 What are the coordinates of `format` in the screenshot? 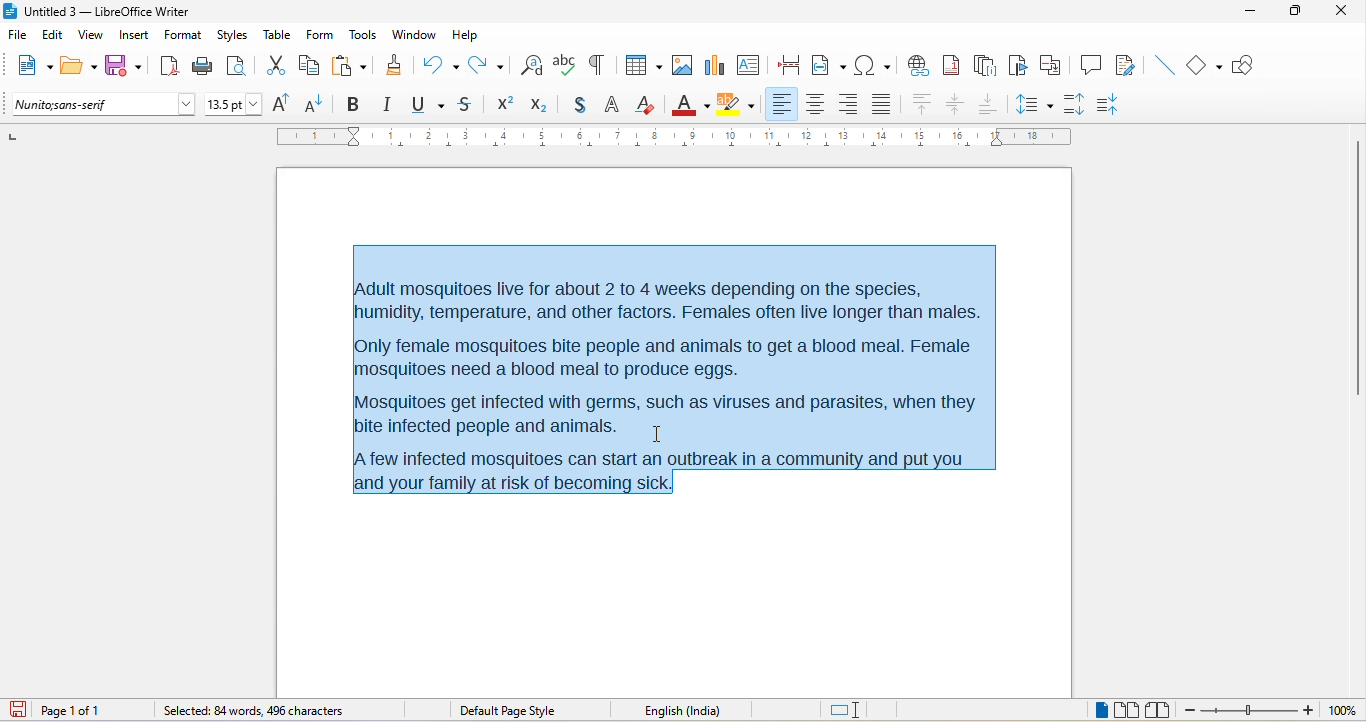 It's located at (183, 37).